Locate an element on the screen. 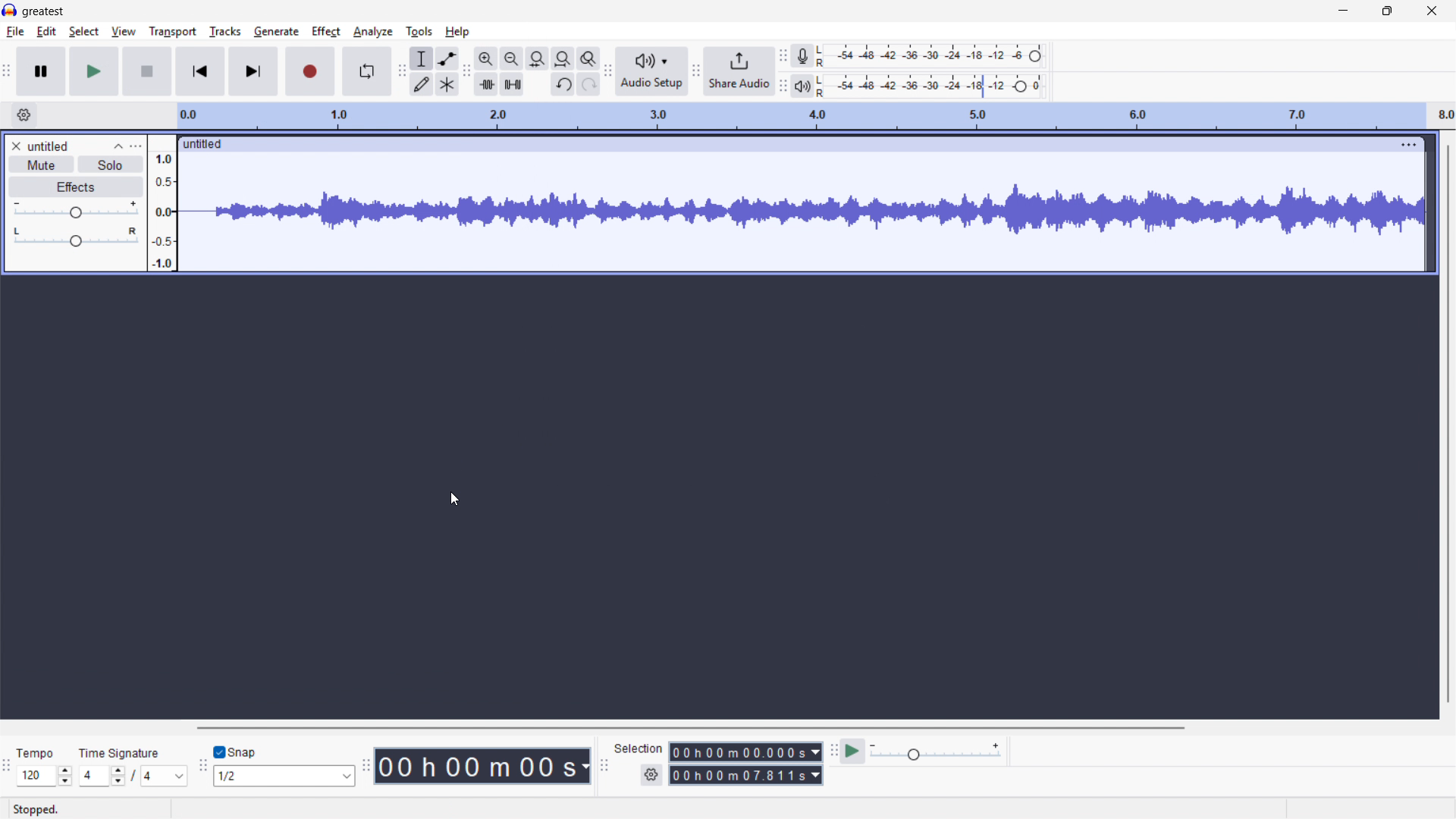 The image size is (1456, 819). trim audio outside selection is located at coordinates (485, 85).